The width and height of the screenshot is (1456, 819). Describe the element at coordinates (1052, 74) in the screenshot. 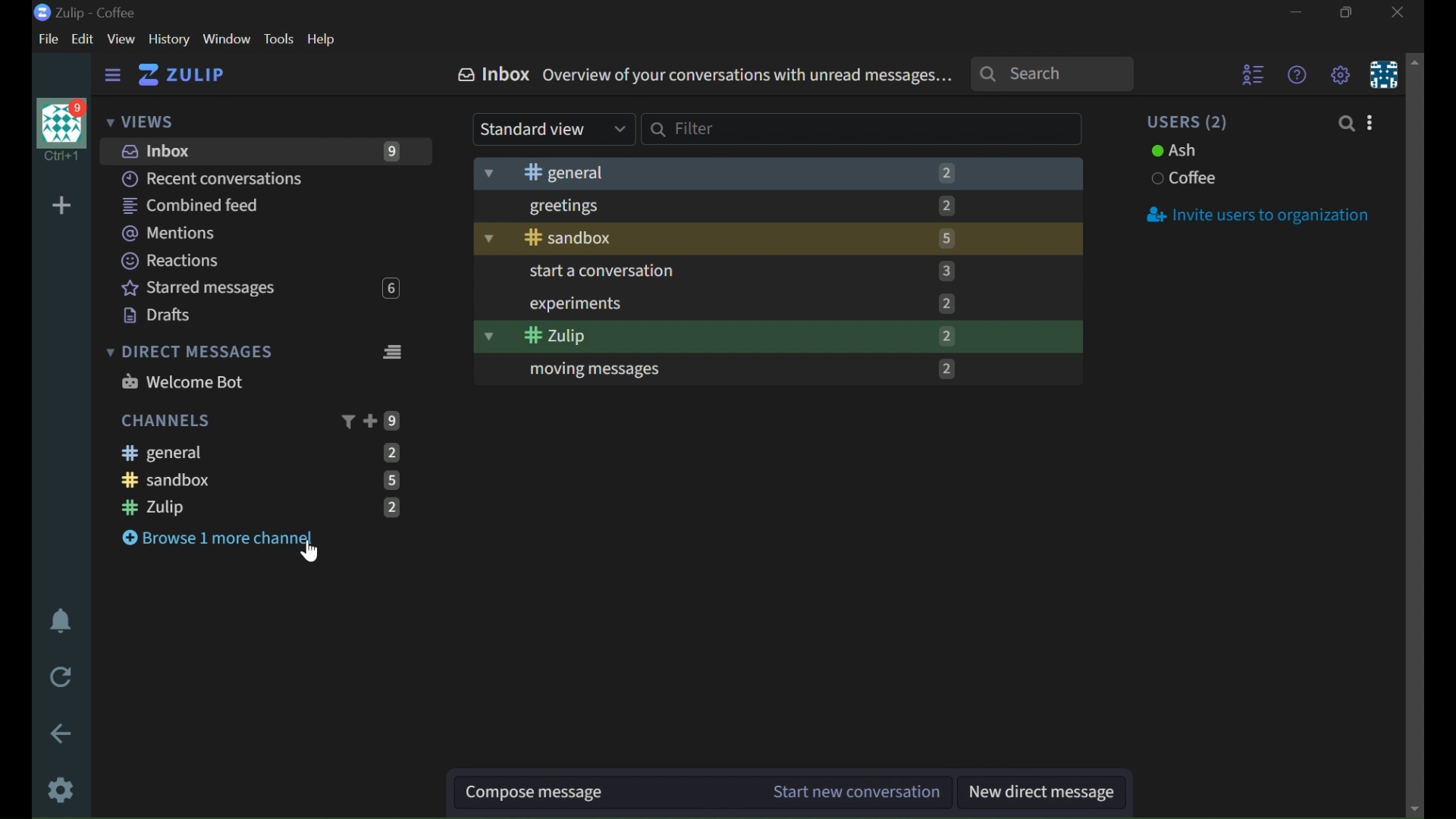

I see `SEARCH` at that location.